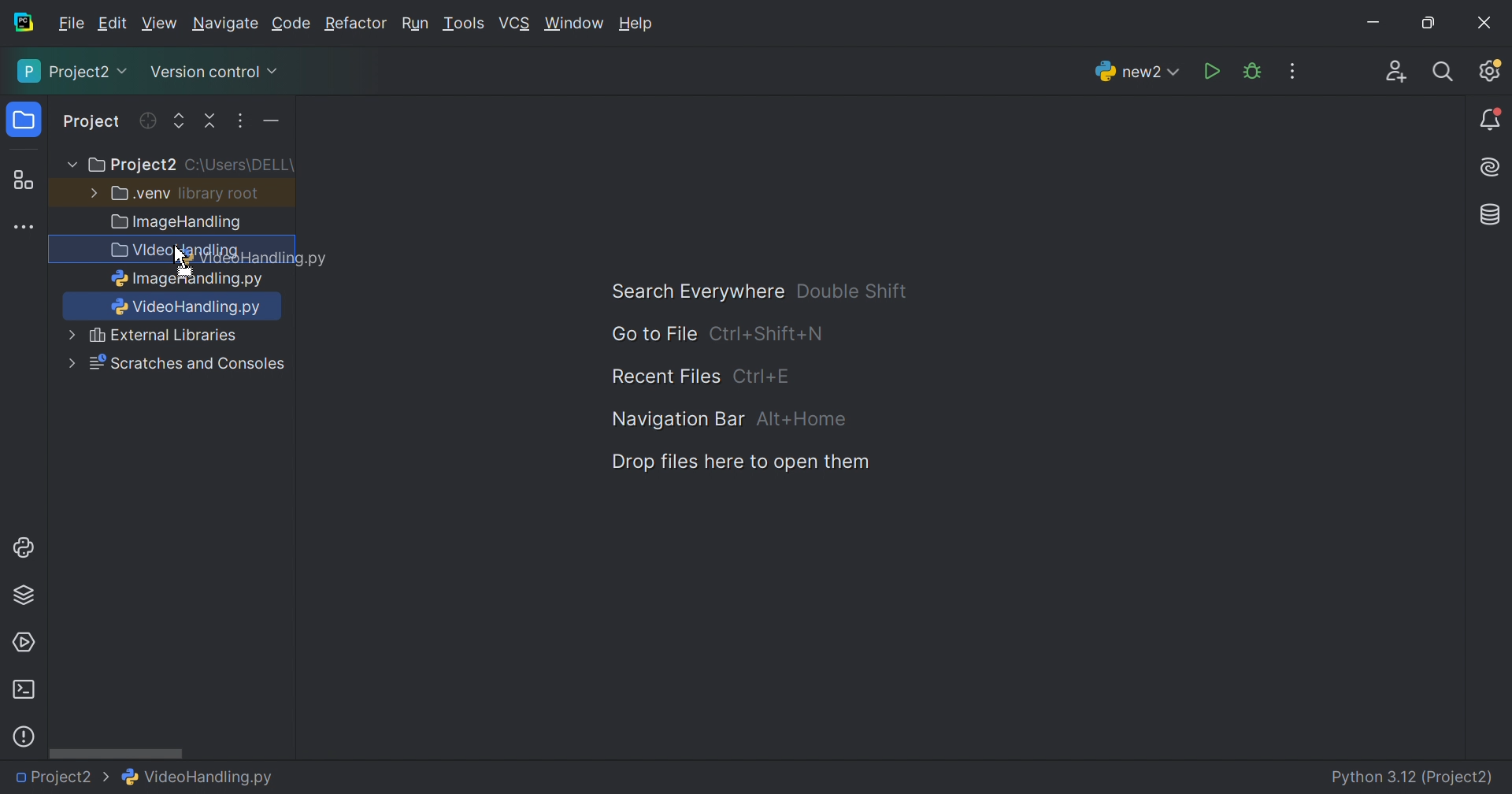 The width and height of the screenshot is (1512, 794). Describe the element at coordinates (112, 24) in the screenshot. I see `Edit` at that location.